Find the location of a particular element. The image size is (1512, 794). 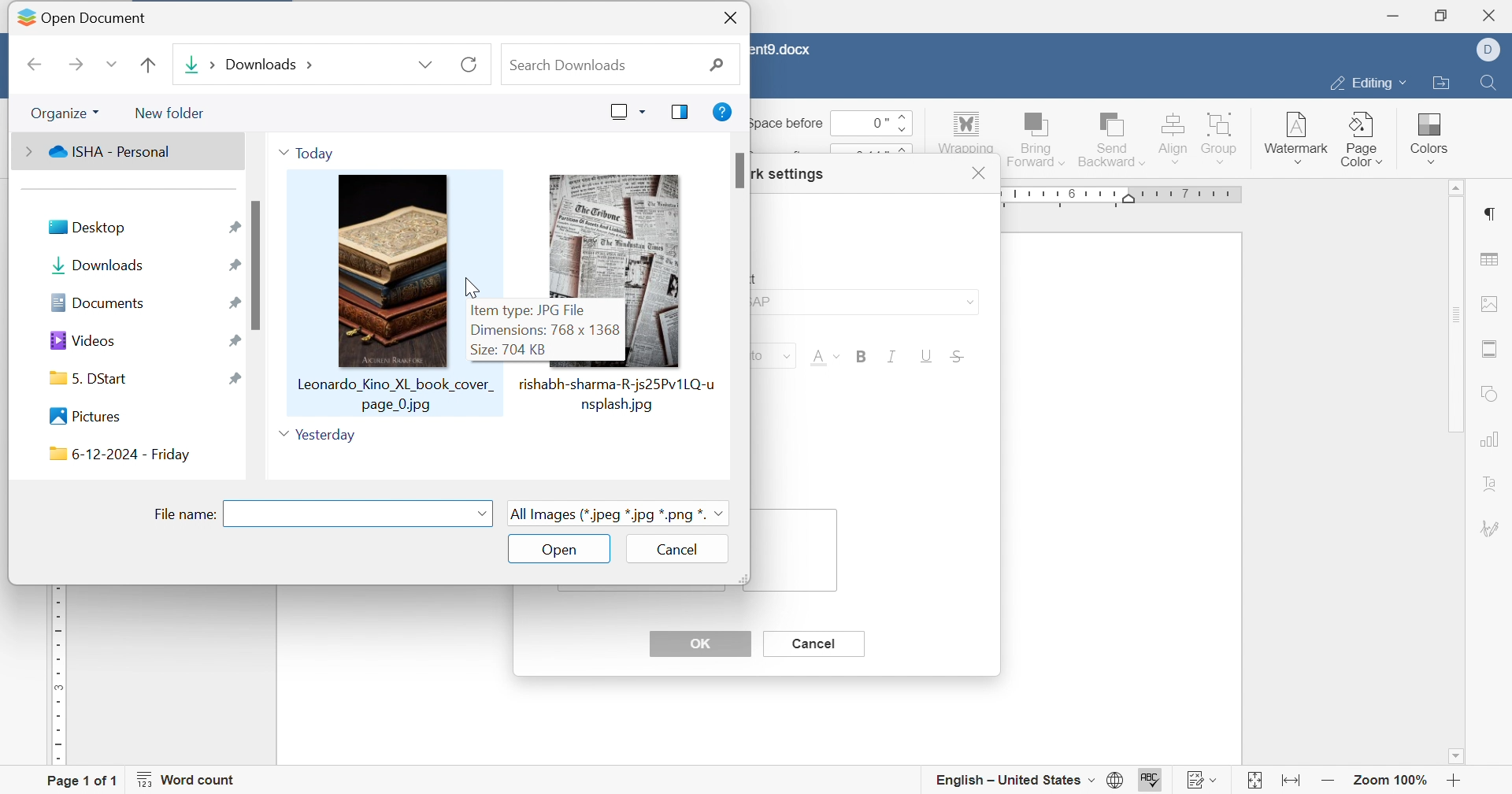

fit to page is located at coordinates (1253, 783).